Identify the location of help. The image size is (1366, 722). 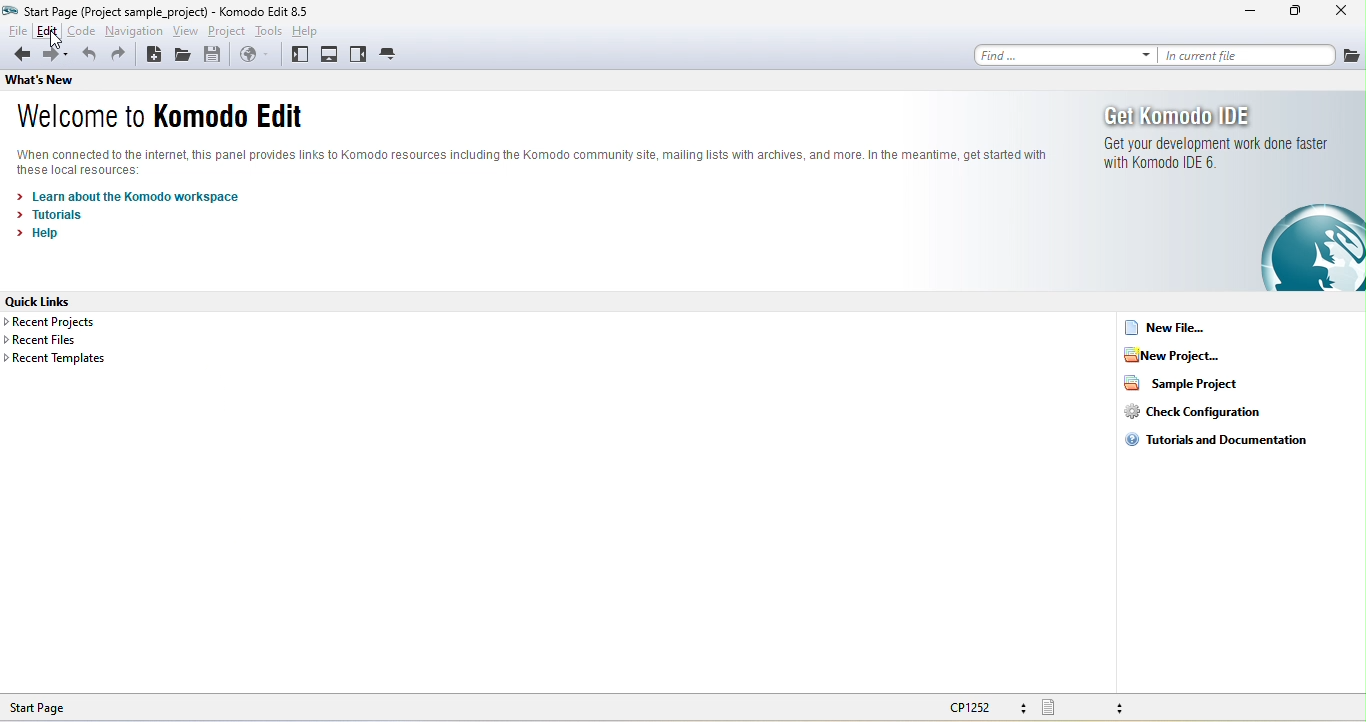
(310, 31).